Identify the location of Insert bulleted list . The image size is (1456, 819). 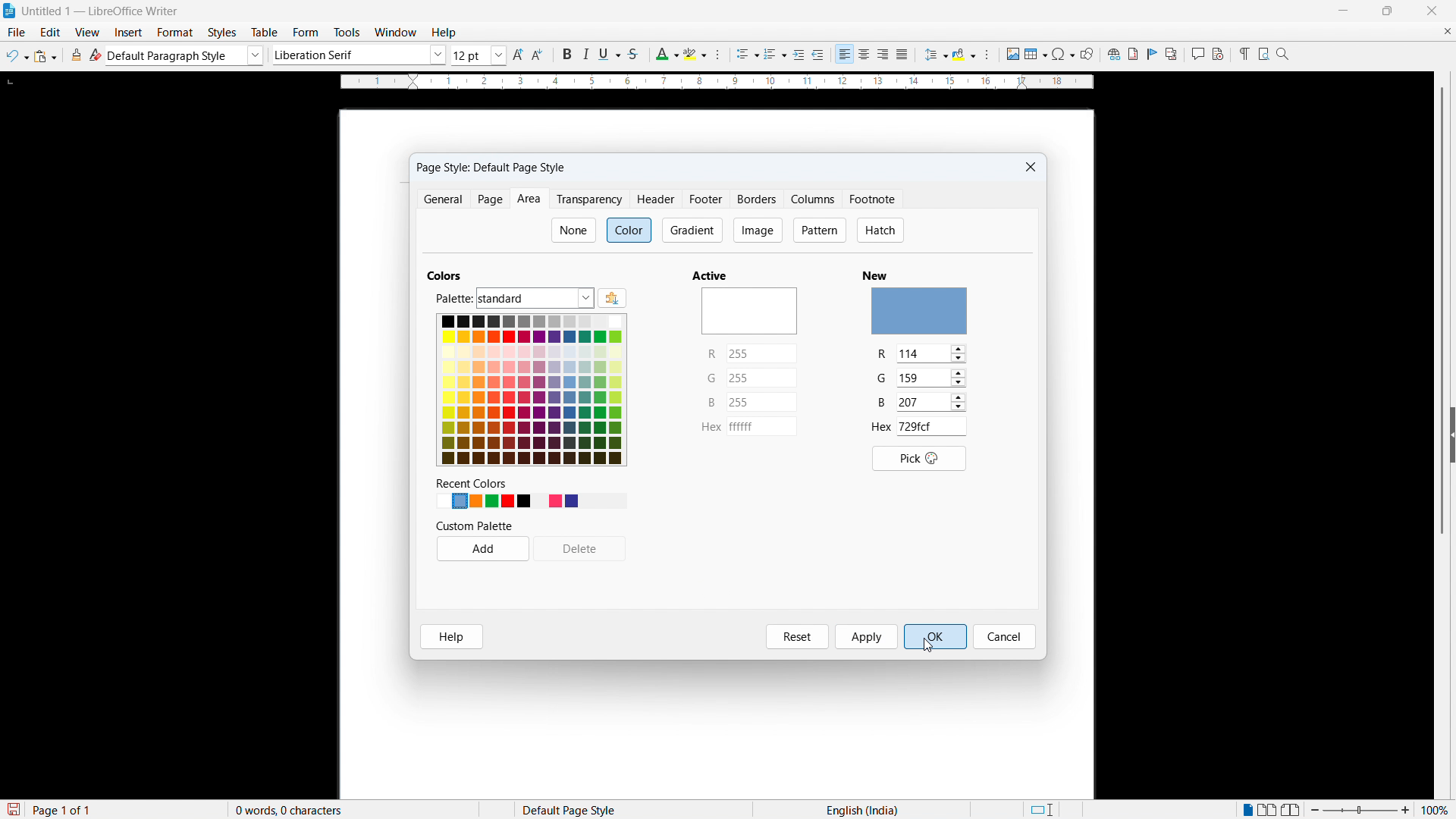
(748, 55).